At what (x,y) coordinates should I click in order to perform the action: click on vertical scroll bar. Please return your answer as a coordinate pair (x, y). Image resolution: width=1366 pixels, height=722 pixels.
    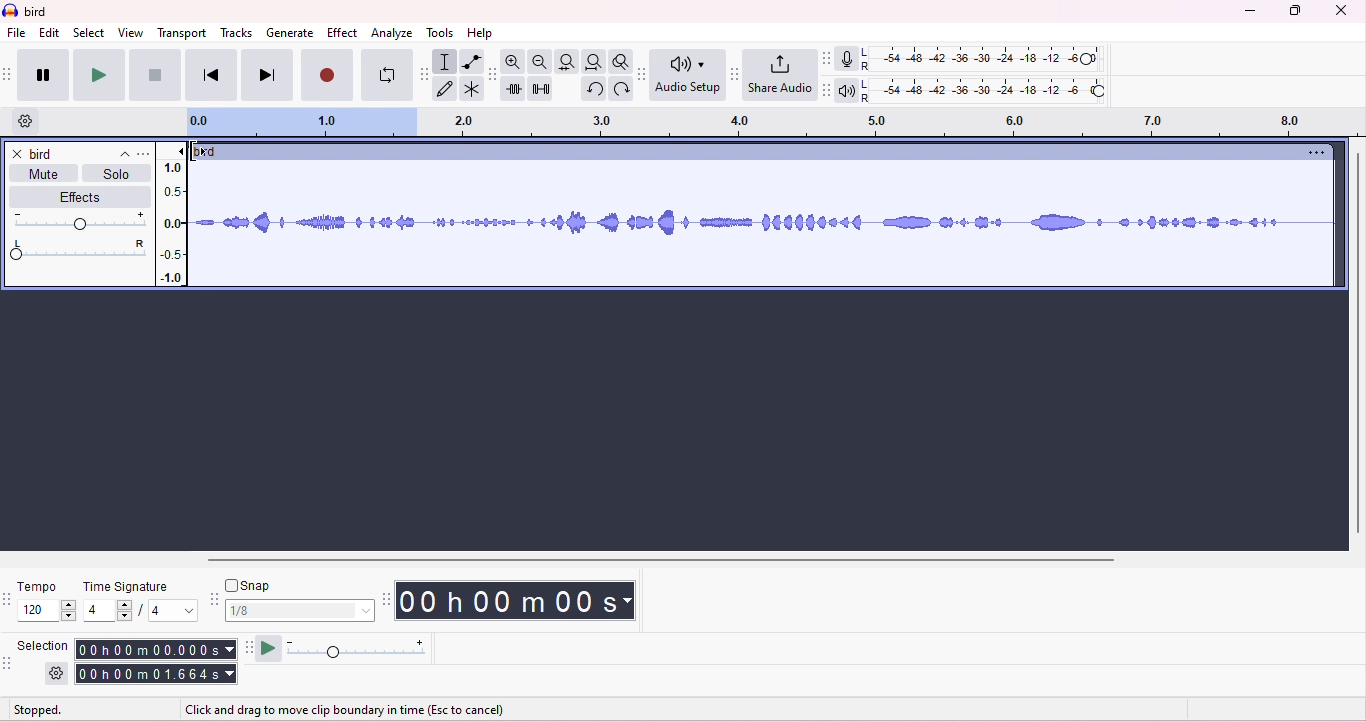
    Looking at the image, I should click on (1356, 344).